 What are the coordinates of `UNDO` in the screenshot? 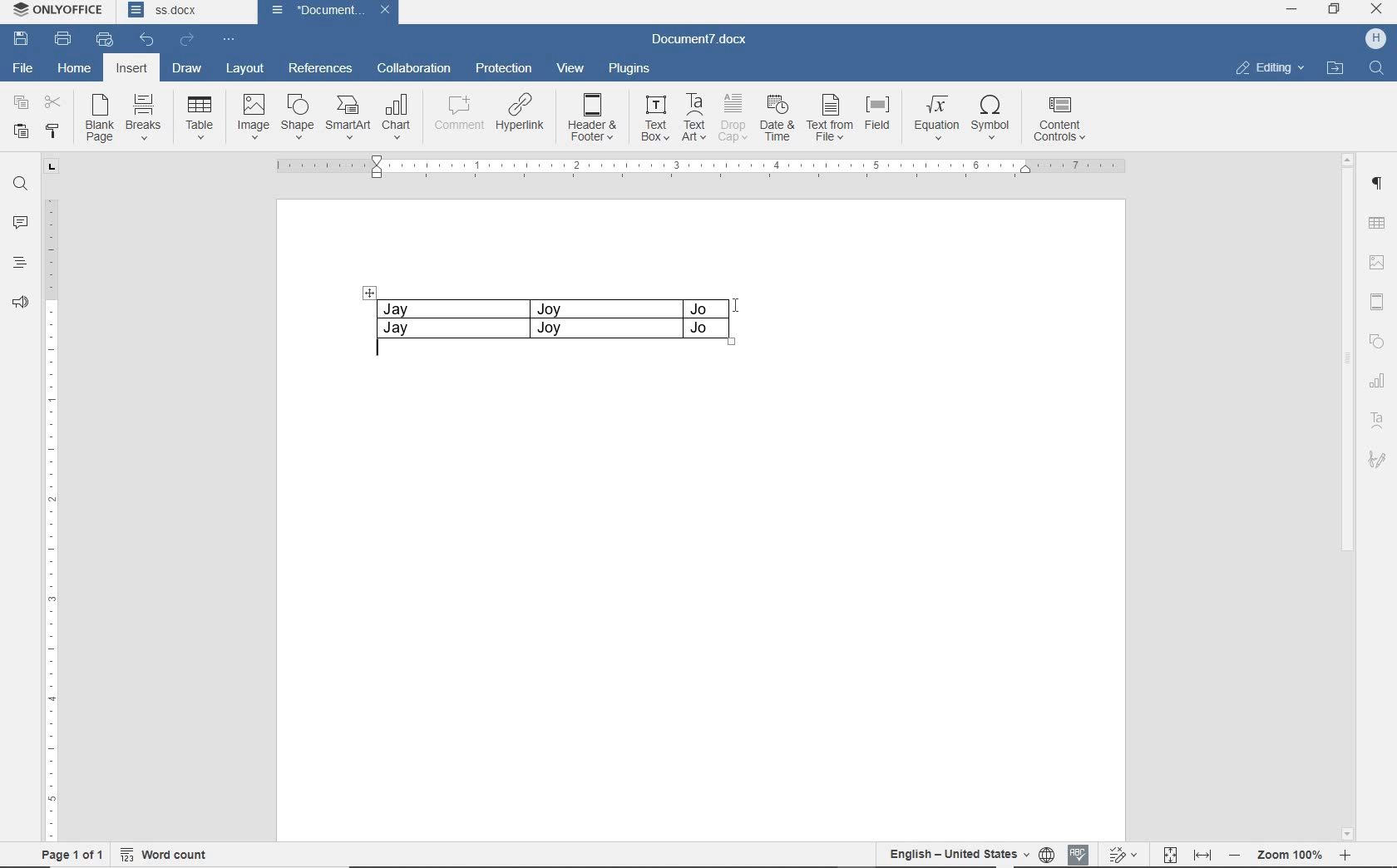 It's located at (142, 38).